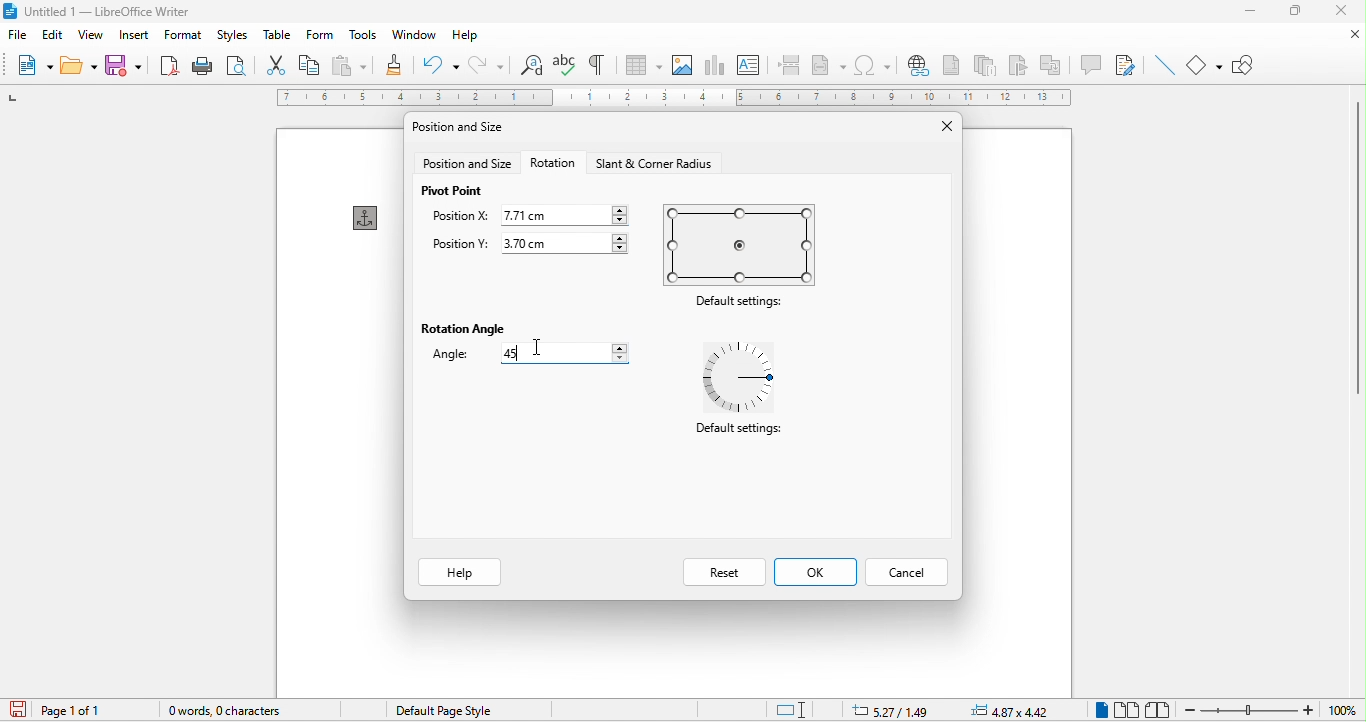  Describe the element at coordinates (362, 216) in the screenshot. I see `anchor` at that location.